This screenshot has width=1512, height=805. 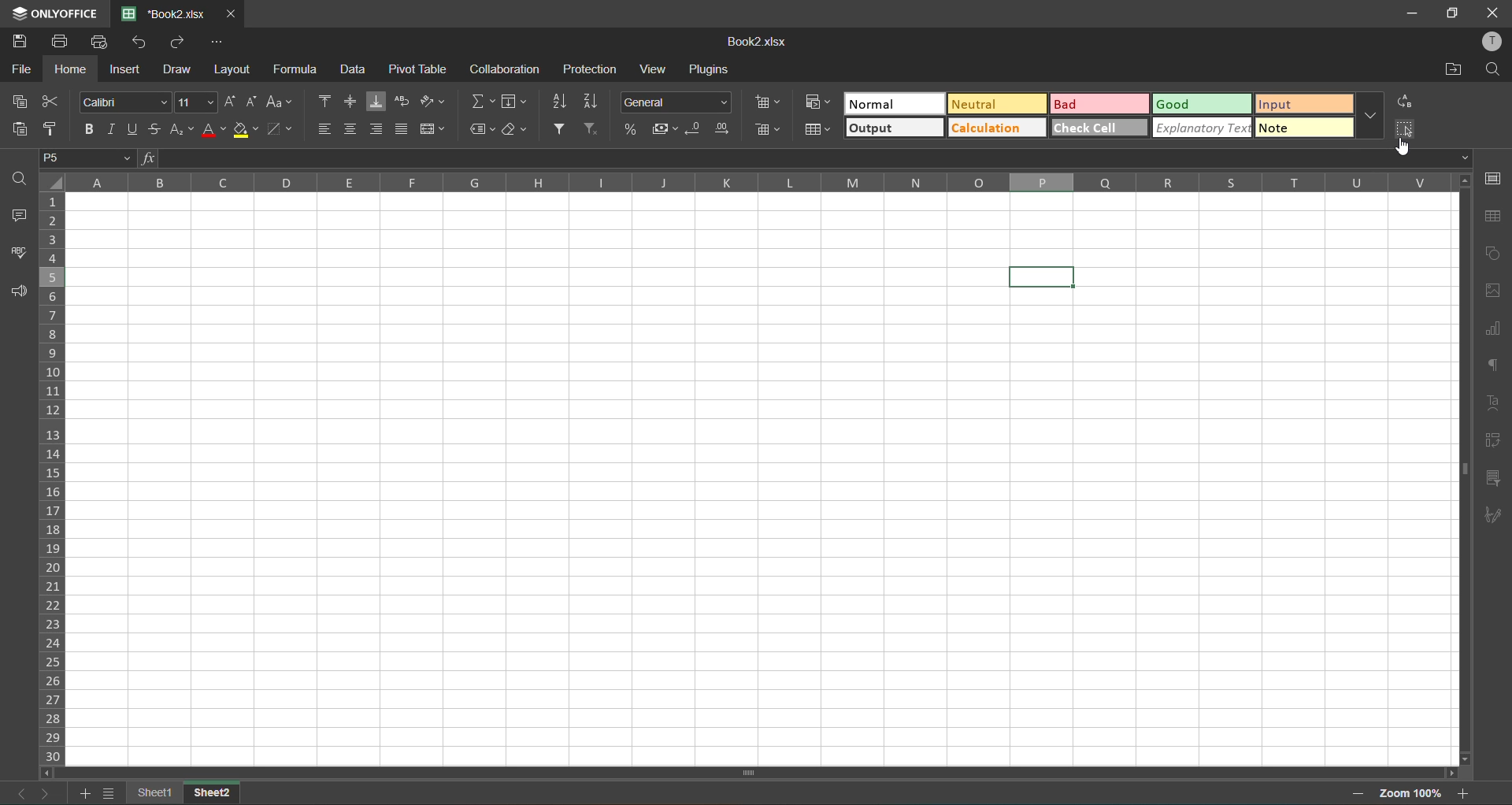 What do you see at coordinates (591, 72) in the screenshot?
I see `protection` at bounding box center [591, 72].